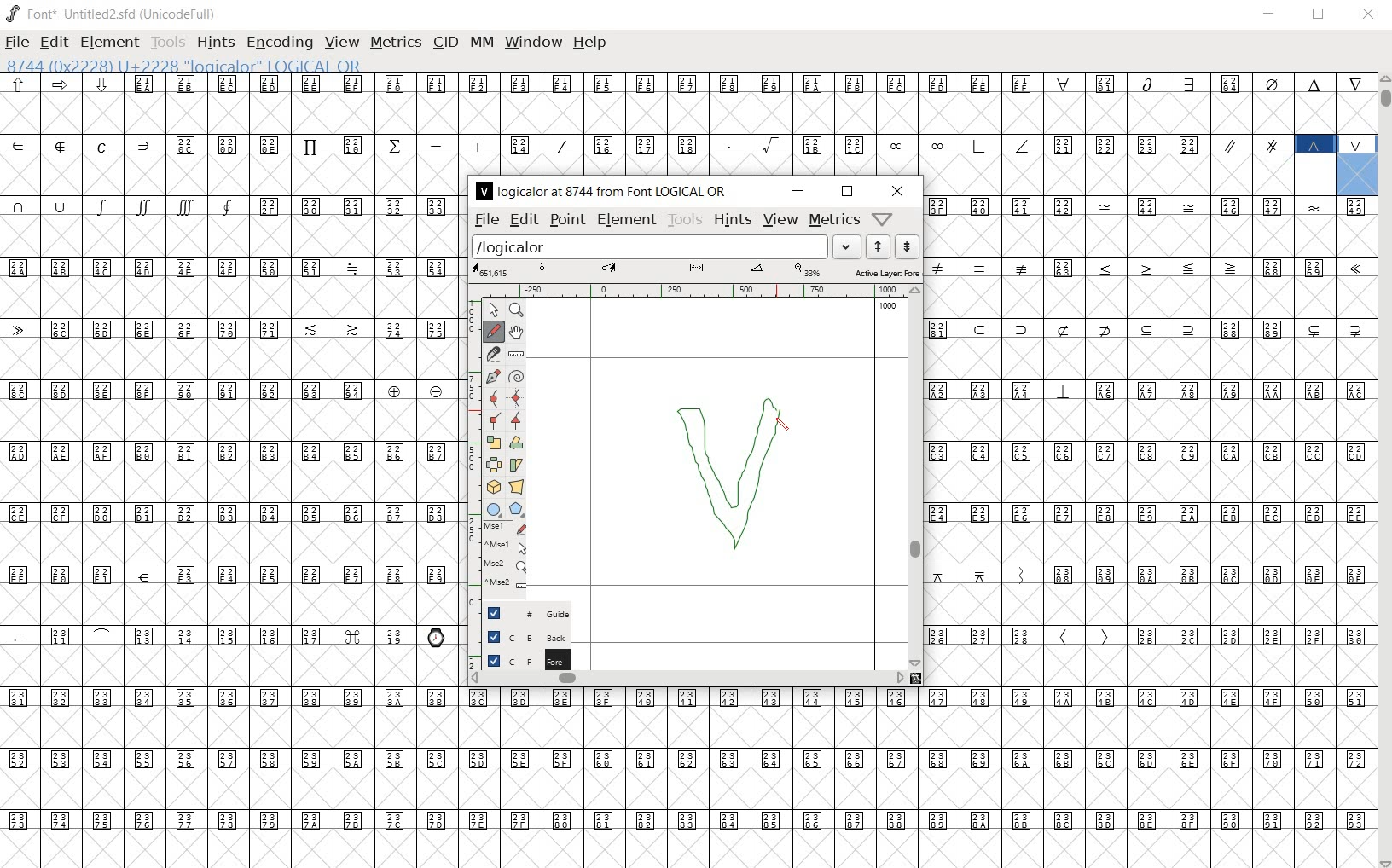 The height and width of the screenshot is (868, 1392). Describe the element at coordinates (1368, 14) in the screenshot. I see `close` at that location.